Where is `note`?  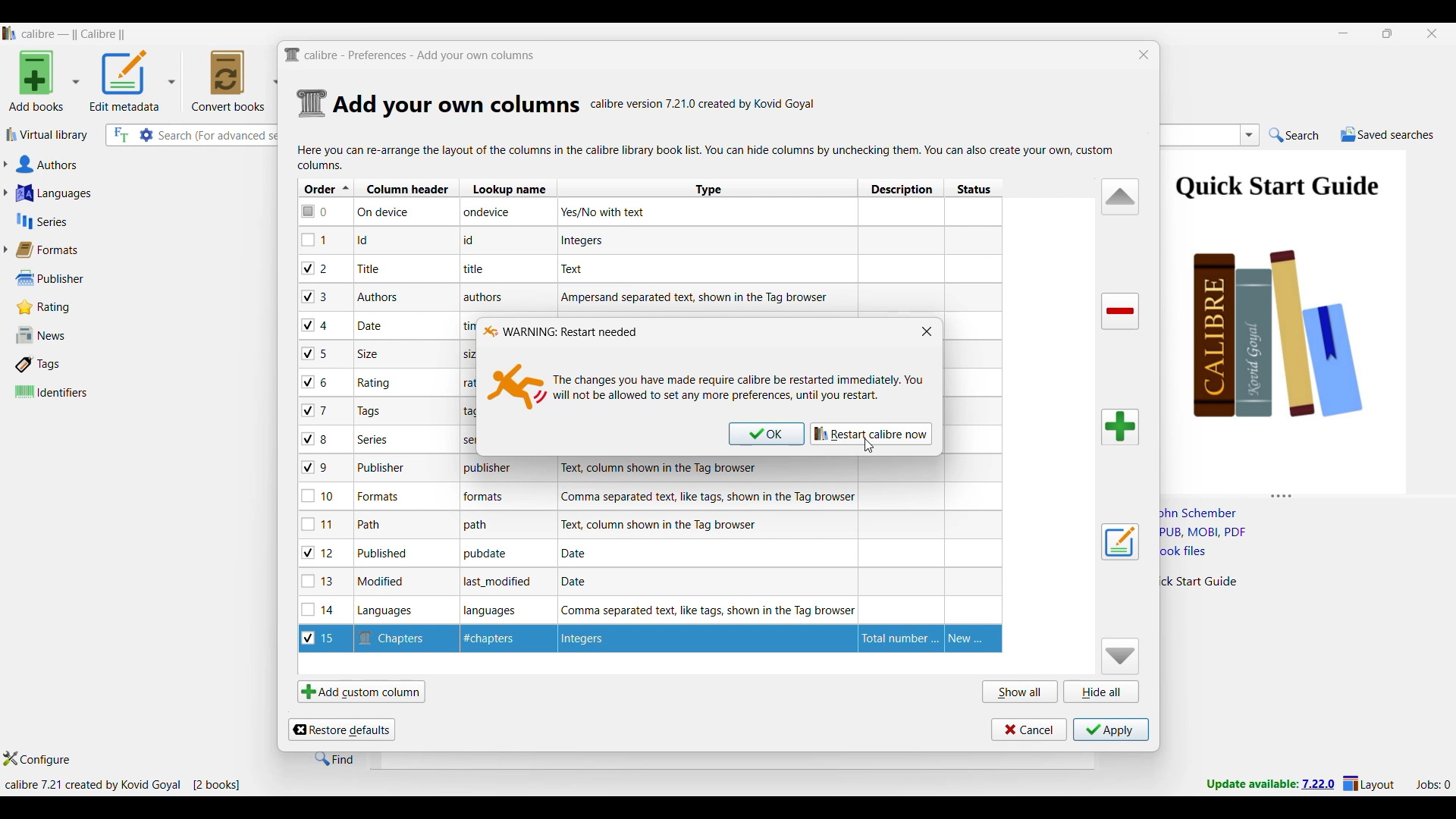 note is located at coordinates (481, 526).